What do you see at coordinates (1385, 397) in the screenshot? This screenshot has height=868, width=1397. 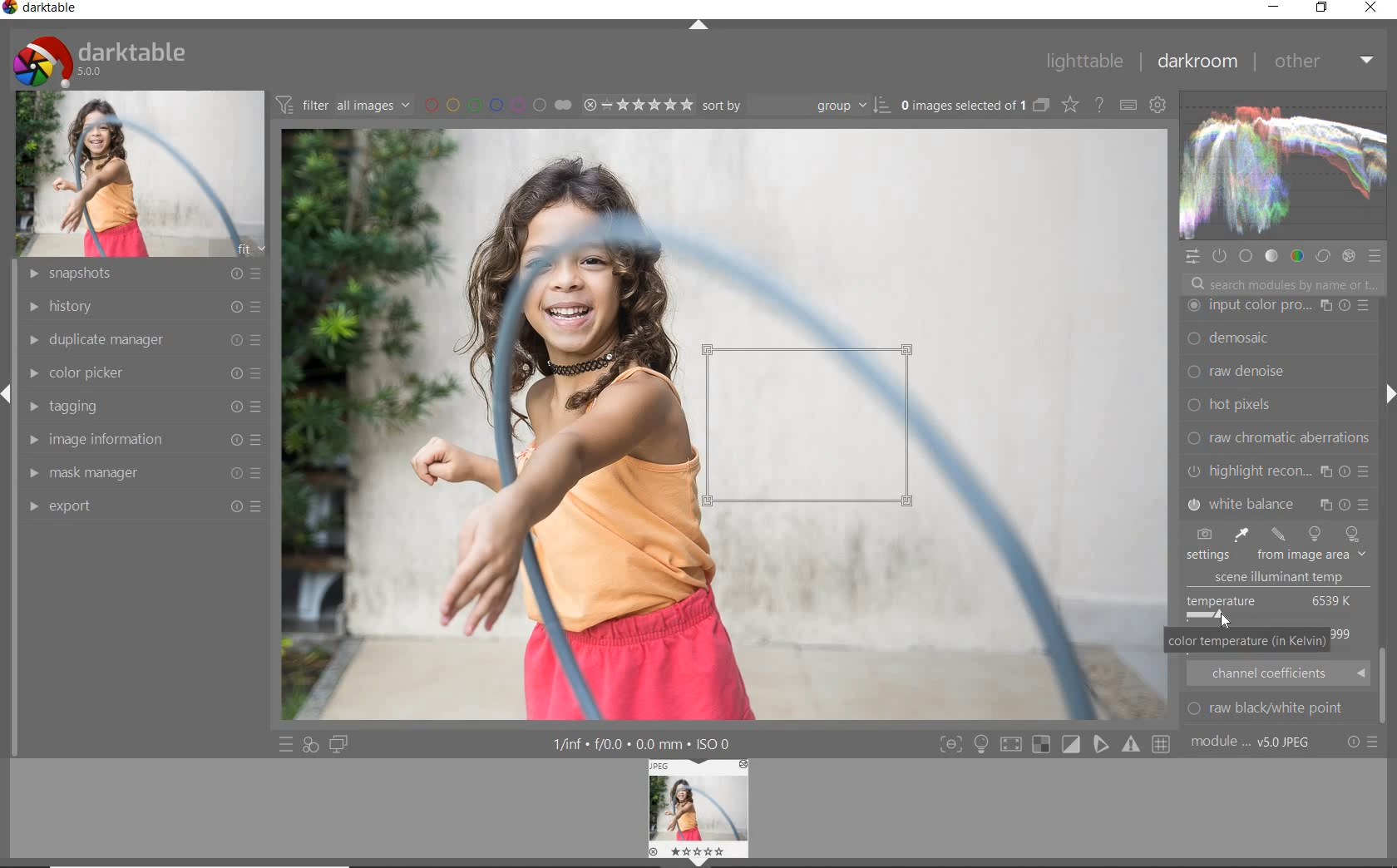 I see `expand/collapse` at bounding box center [1385, 397].